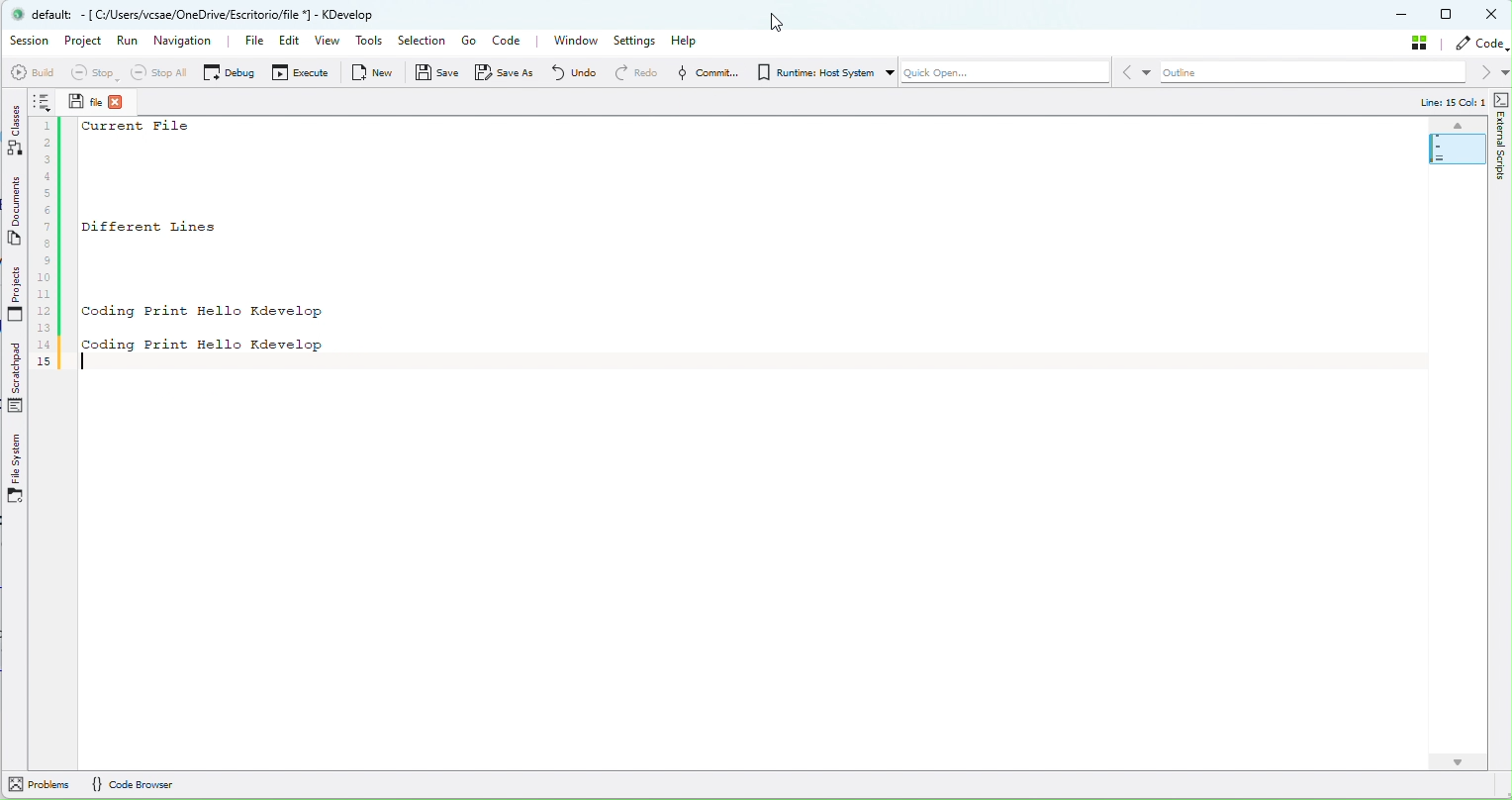  I want to click on Coding Print Hello Kdevelop (Pasted information), so click(209, 343).